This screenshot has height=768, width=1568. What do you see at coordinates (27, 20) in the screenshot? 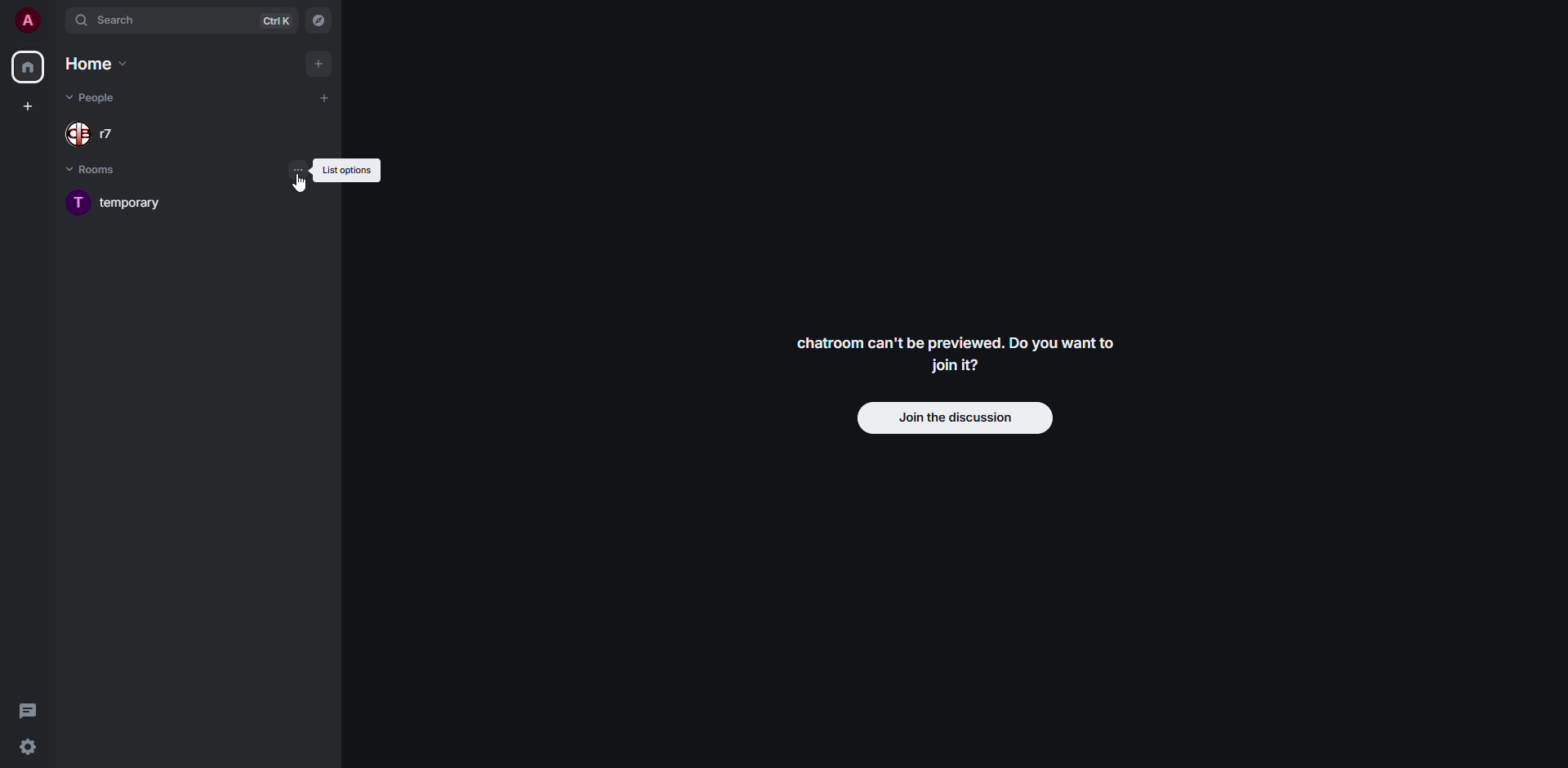
I see `profile` at bounding box center [27, 20].